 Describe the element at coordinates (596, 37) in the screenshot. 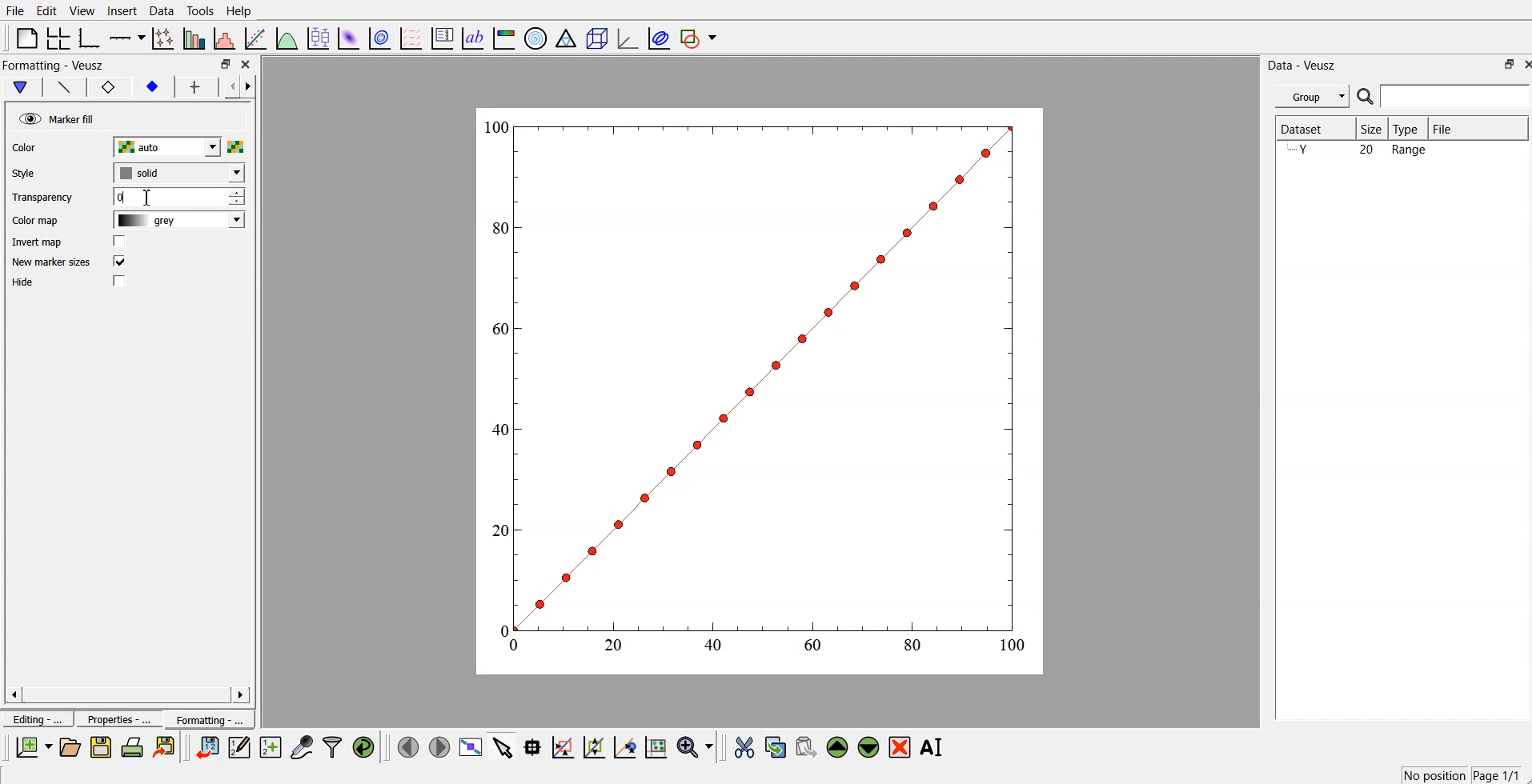

I see `3D scene` at that location.